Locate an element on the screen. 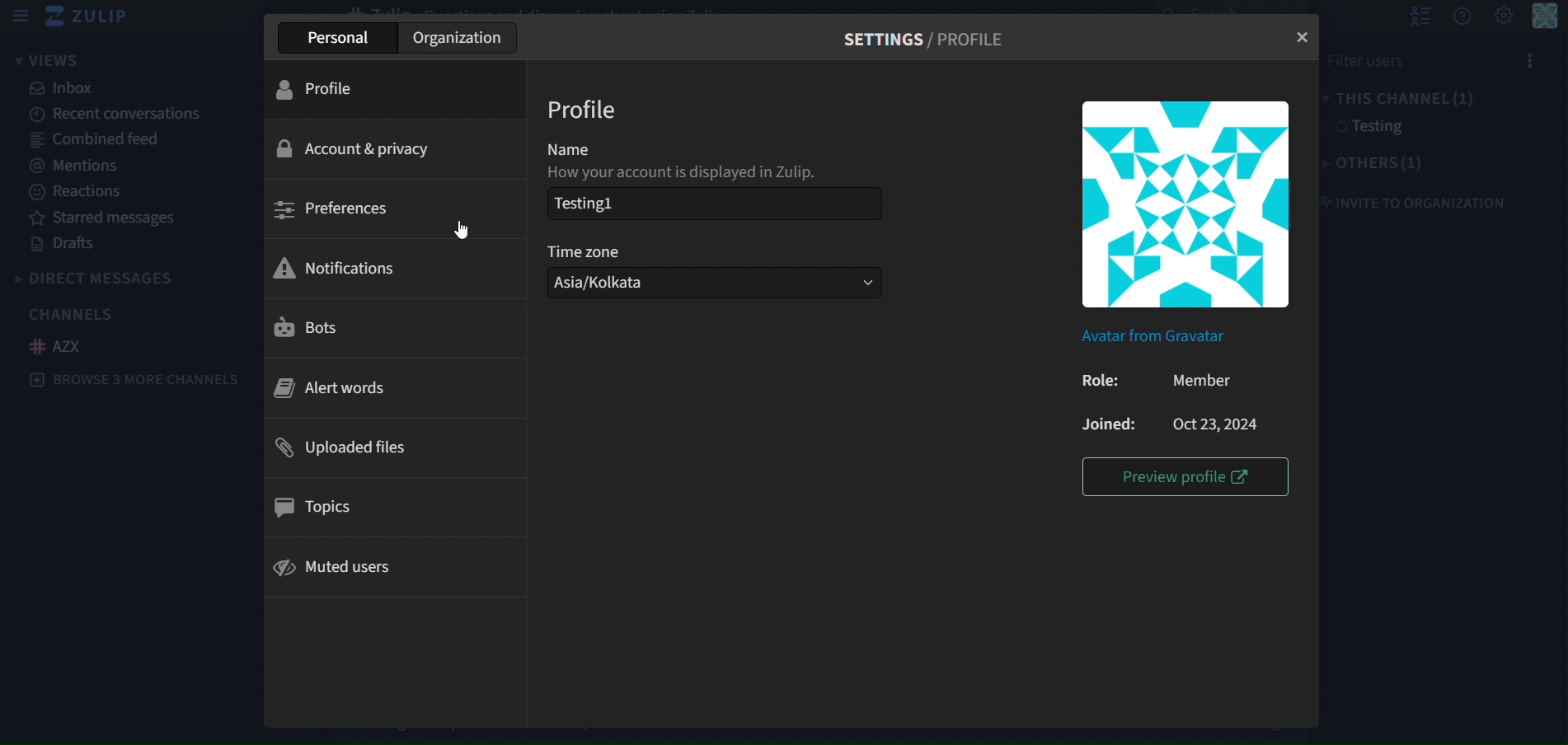 This screenshot has width=1568, height=745. hide user list is located at coordinates (1415, 17).